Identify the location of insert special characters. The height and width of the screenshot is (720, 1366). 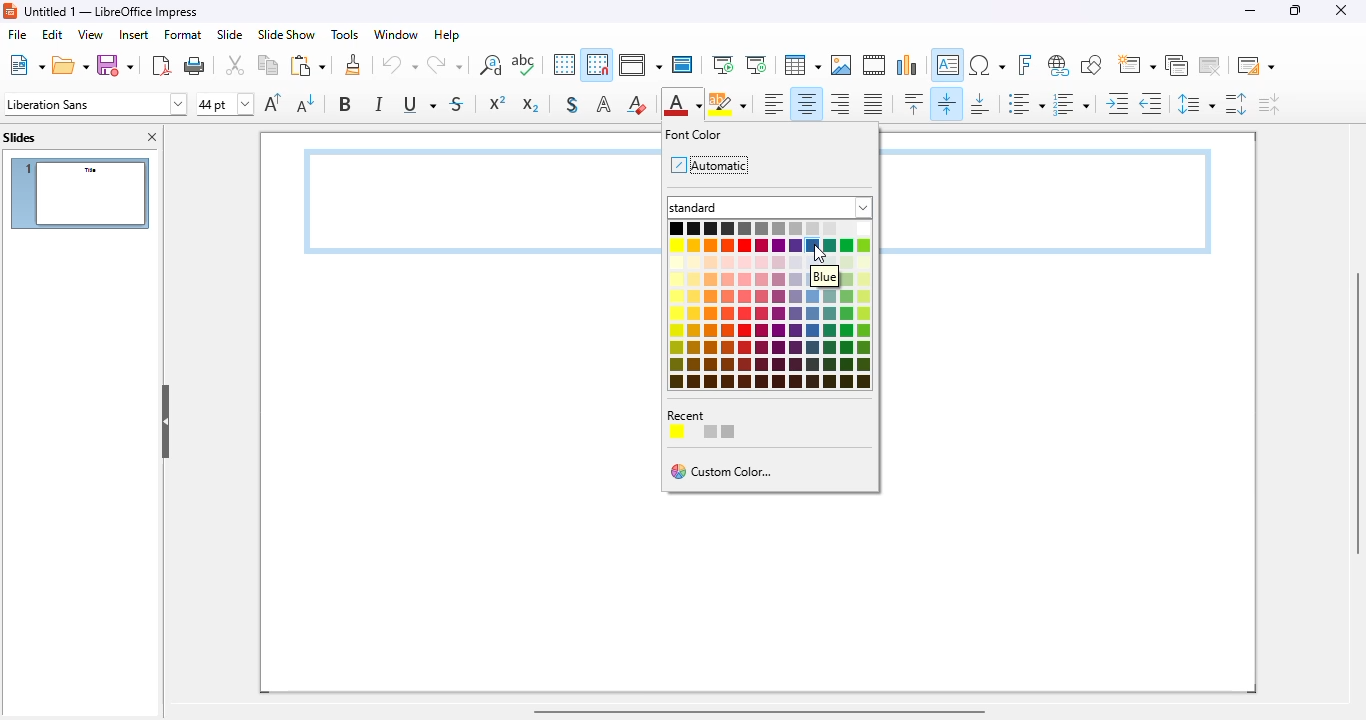
(987, 65).